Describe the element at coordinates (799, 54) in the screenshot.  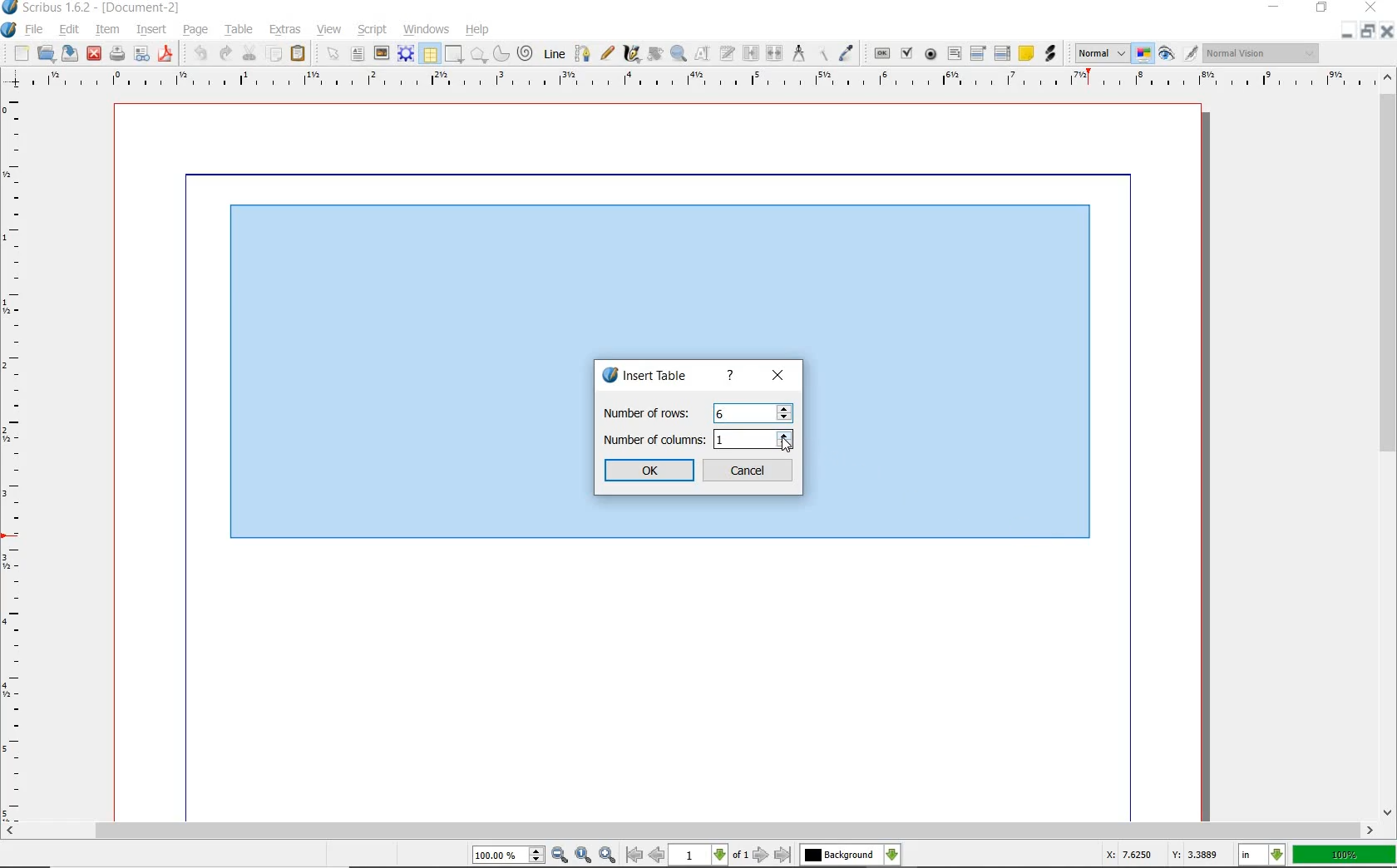
I see `measurements` at that location.